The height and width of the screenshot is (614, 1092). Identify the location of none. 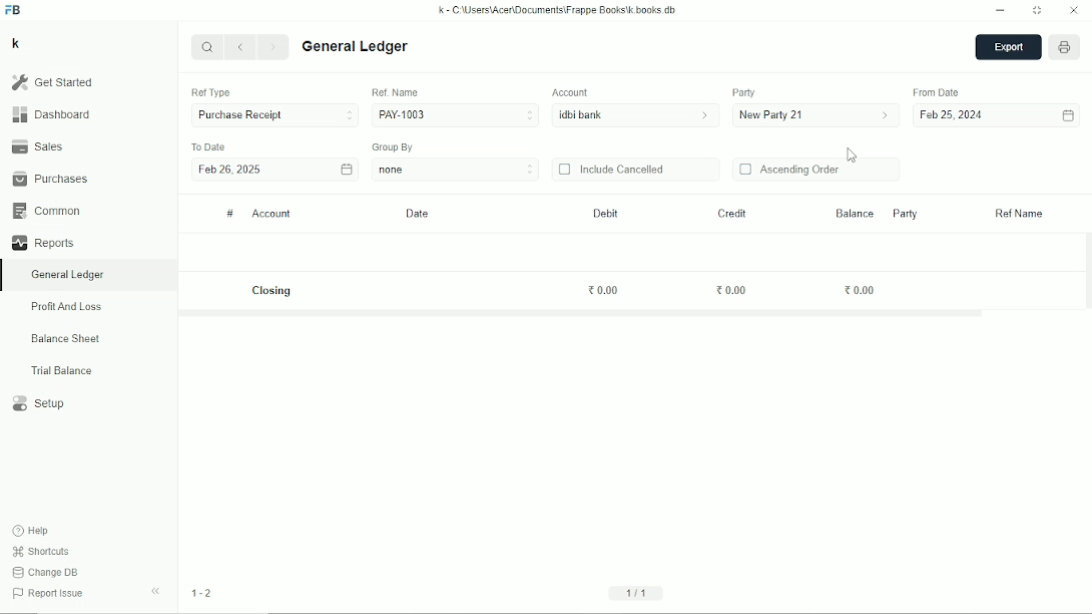
(456, 169).